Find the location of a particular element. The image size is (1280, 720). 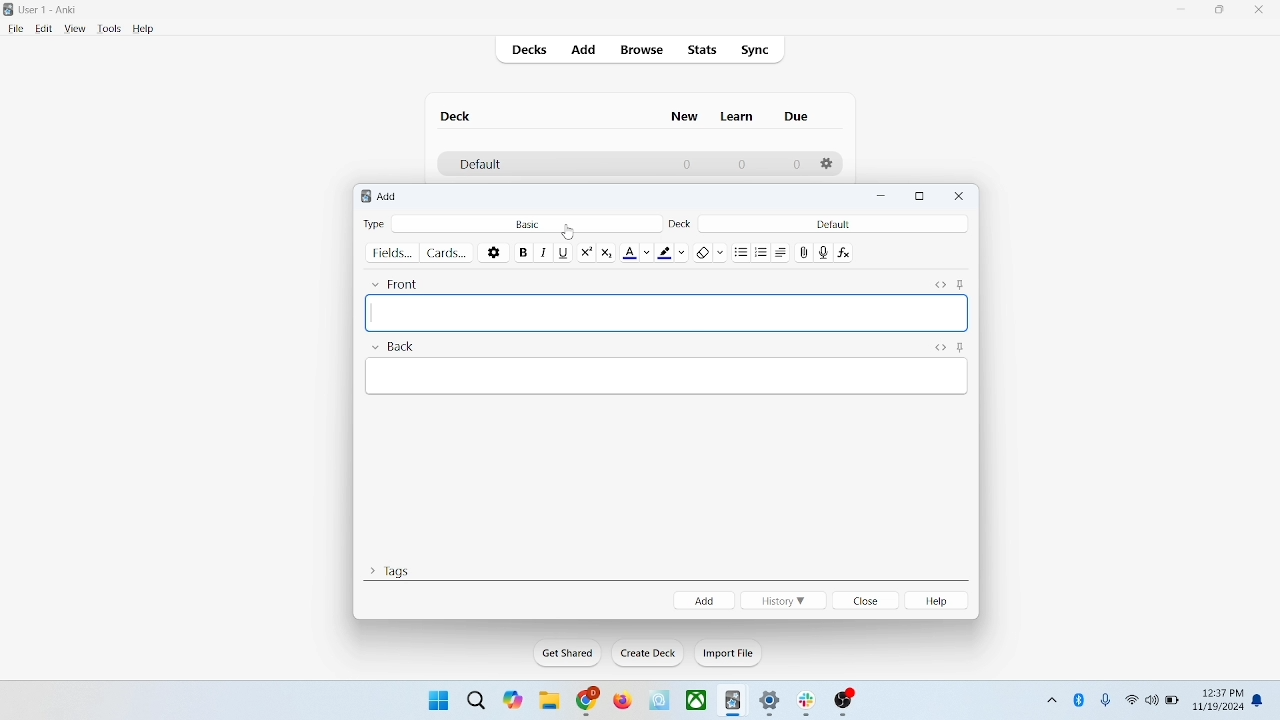

attachment is located at coordinates (804, 252).